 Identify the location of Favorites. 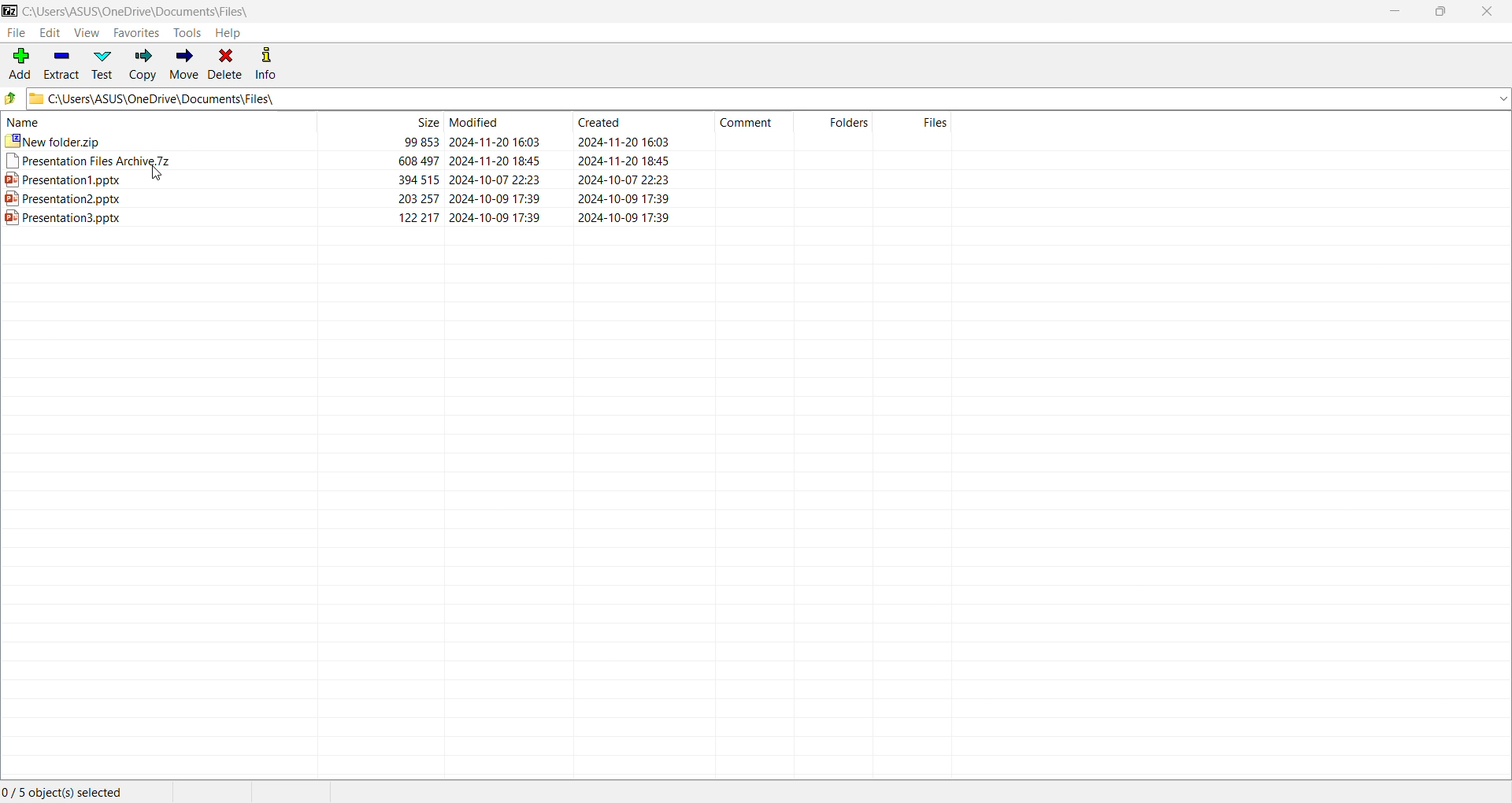
(138, 32).